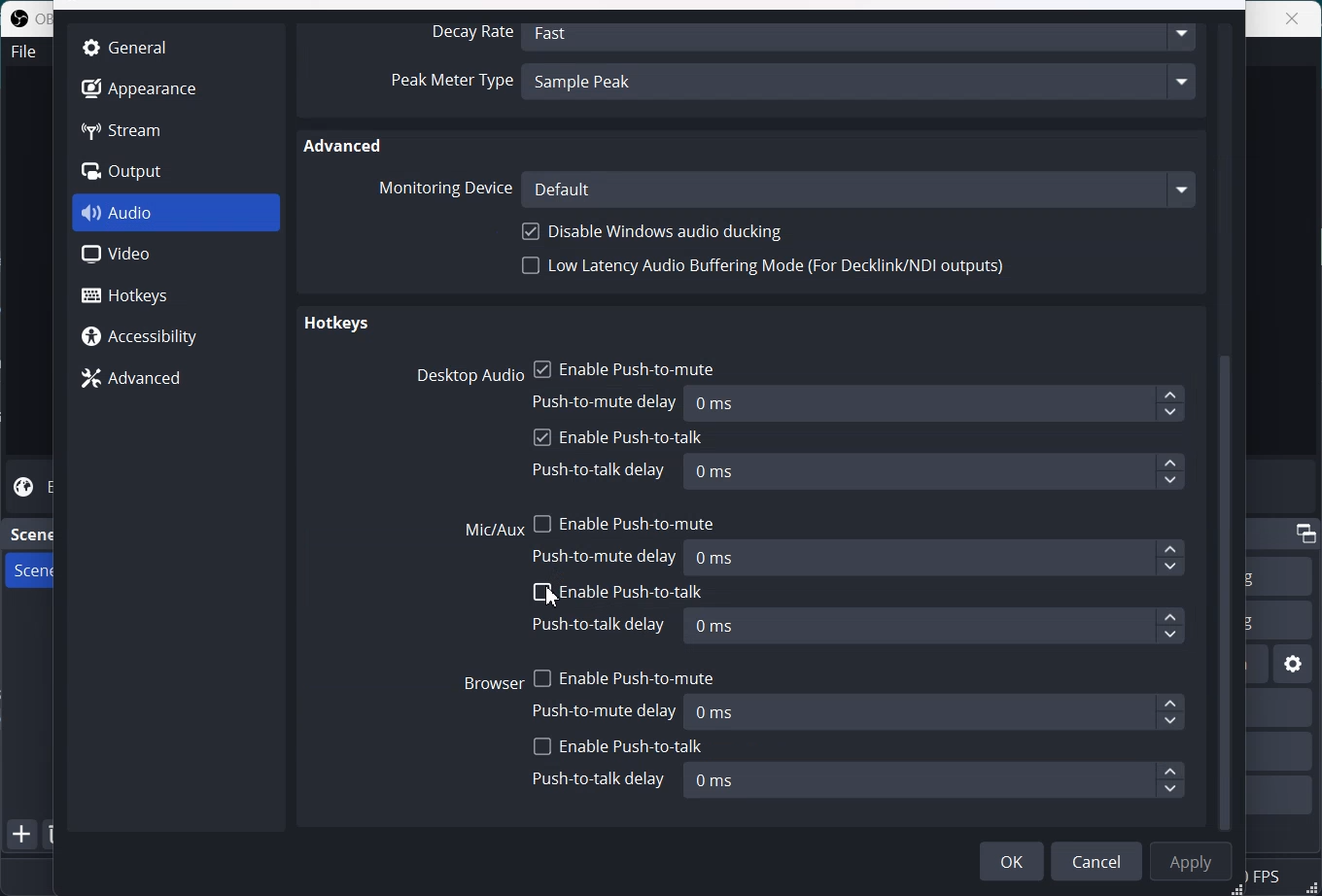 The height and width of the screenshot is (896, 1322). Describe the element at coordinates (608, 556) in the screenshot. I see `Push-to-mute` at that location.